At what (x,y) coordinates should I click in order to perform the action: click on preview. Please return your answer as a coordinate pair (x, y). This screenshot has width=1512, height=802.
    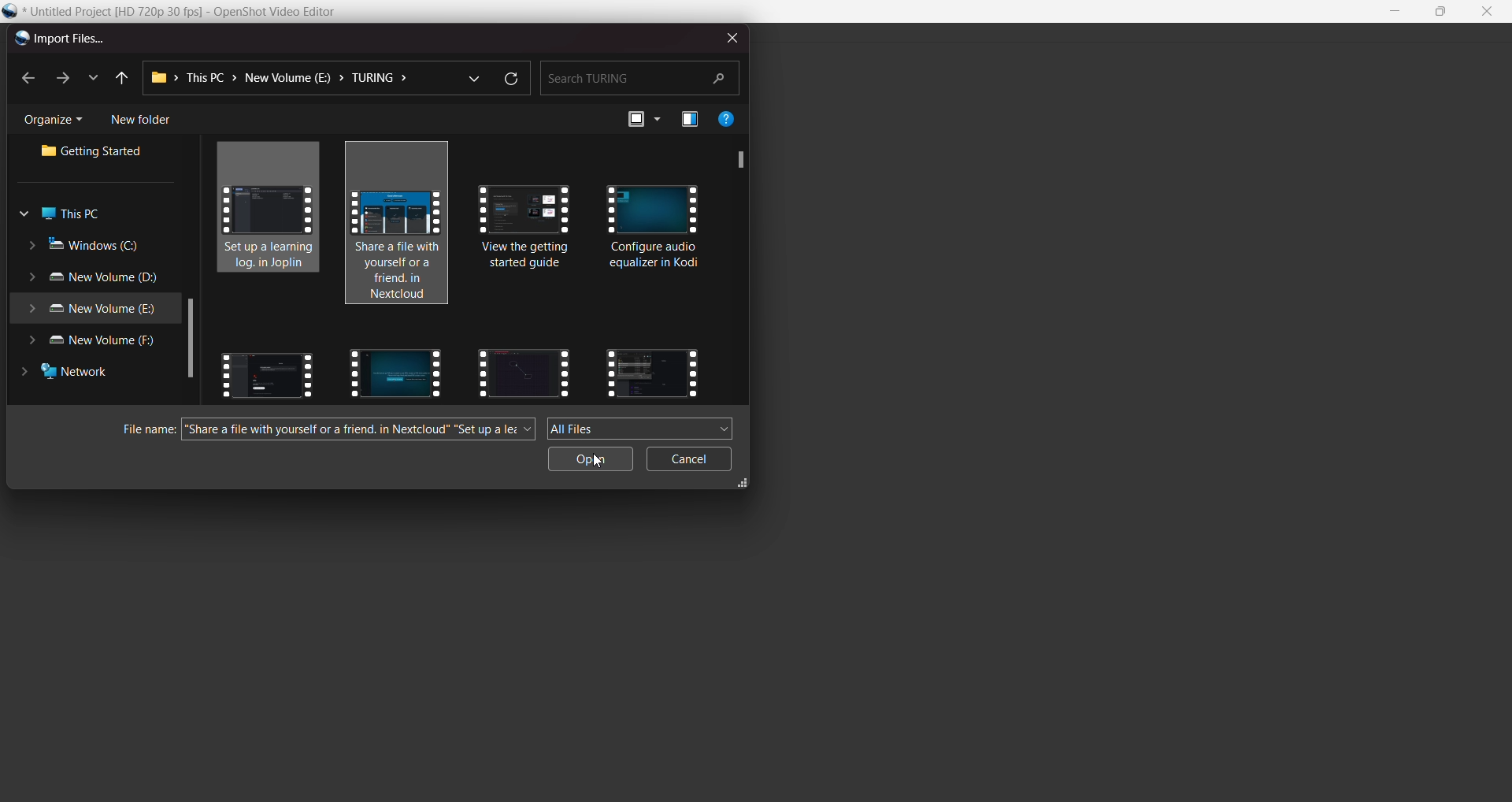
    Looking at the image, I should click on (690, 121).